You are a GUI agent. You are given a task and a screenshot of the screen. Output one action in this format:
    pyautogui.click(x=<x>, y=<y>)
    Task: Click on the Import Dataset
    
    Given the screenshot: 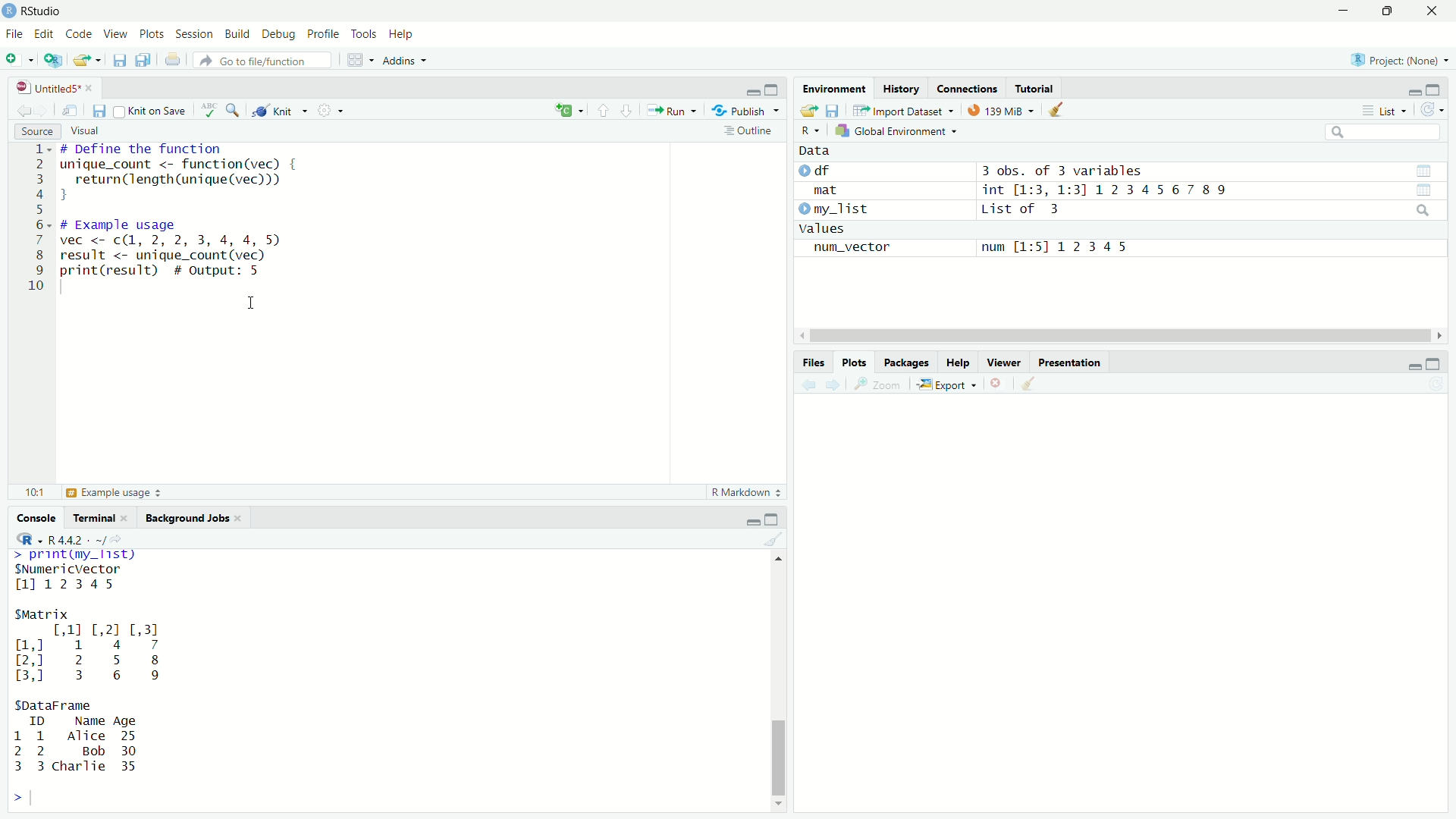 What is the action you would take?
    pyautogui.click(x=902, y=111)
    